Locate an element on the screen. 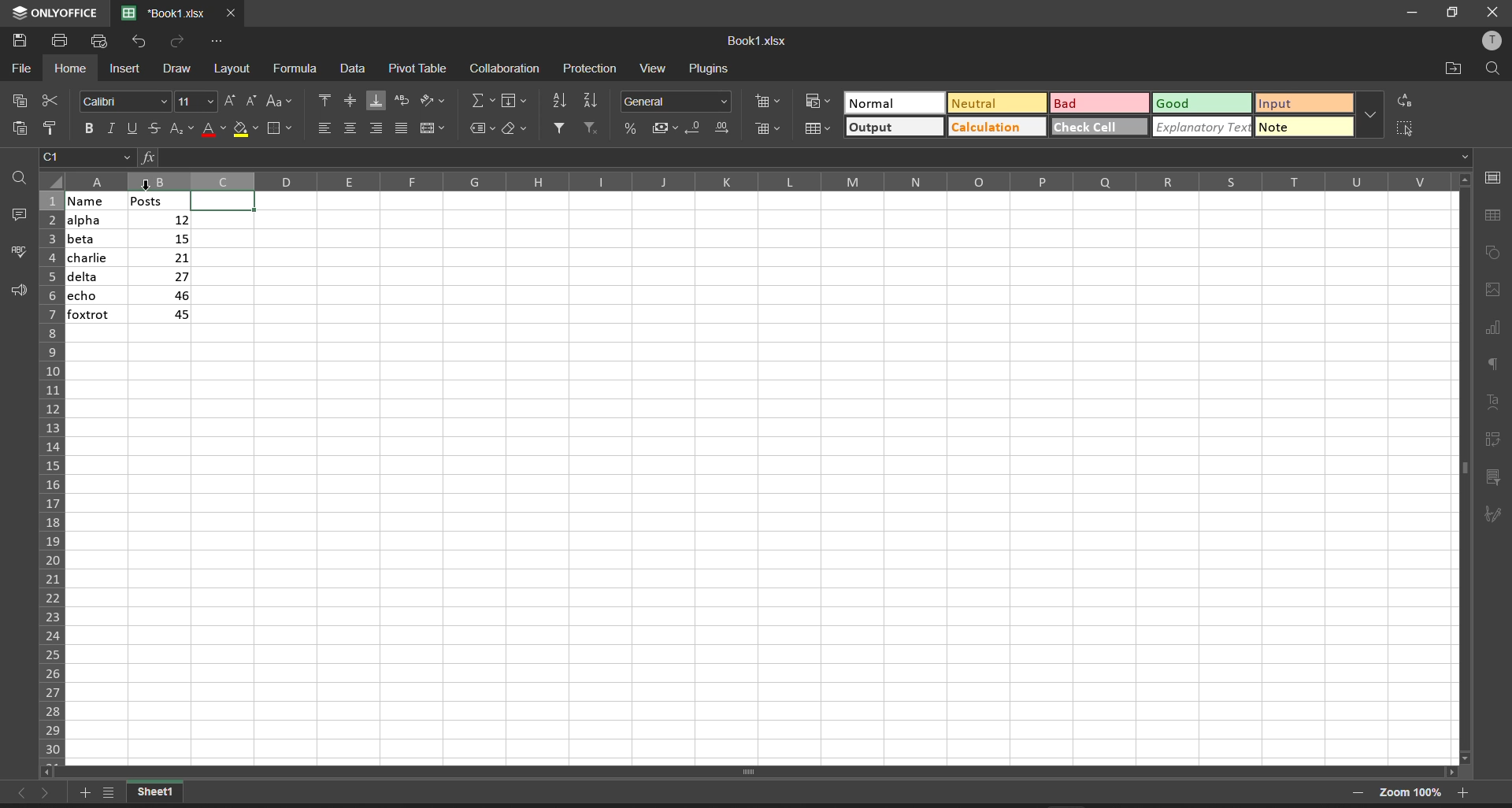 The height and width of the screenshot is (808, 1512). current workbook is located at coordinates (160, 791).